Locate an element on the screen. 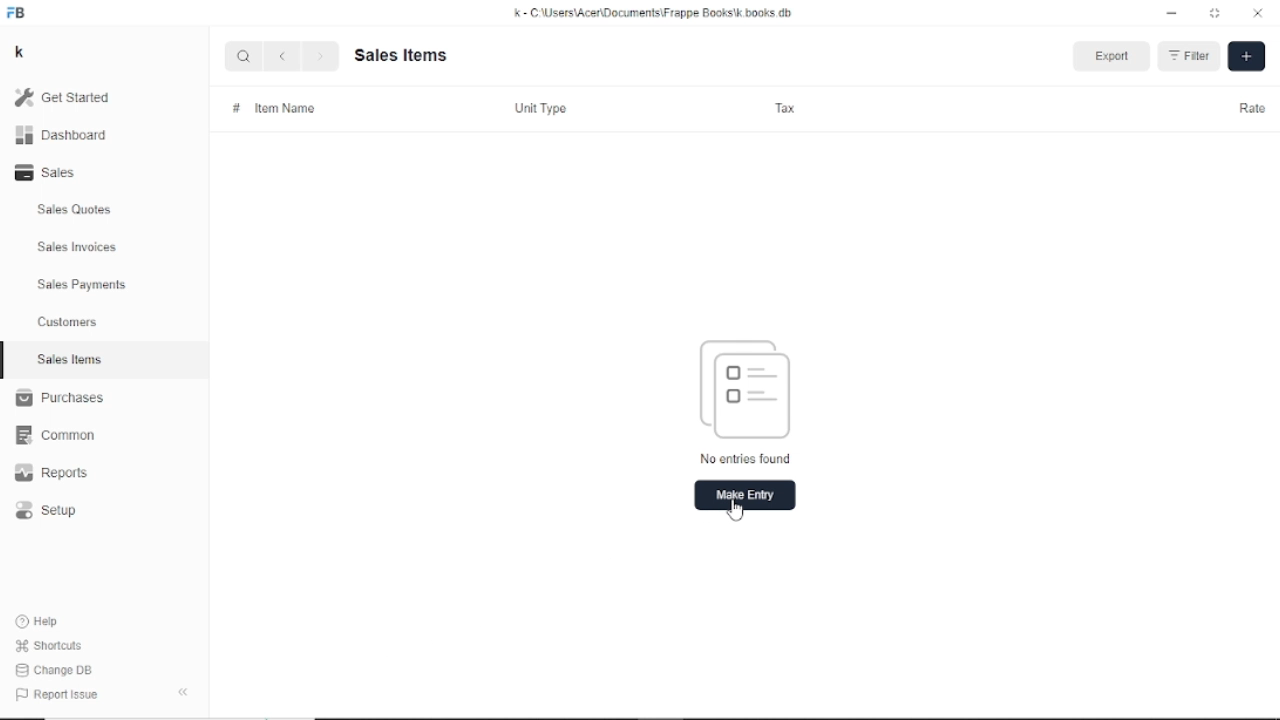 The height and width of the screenshot is (720, 1280). Sales Items is located at coordinates (402, 54).